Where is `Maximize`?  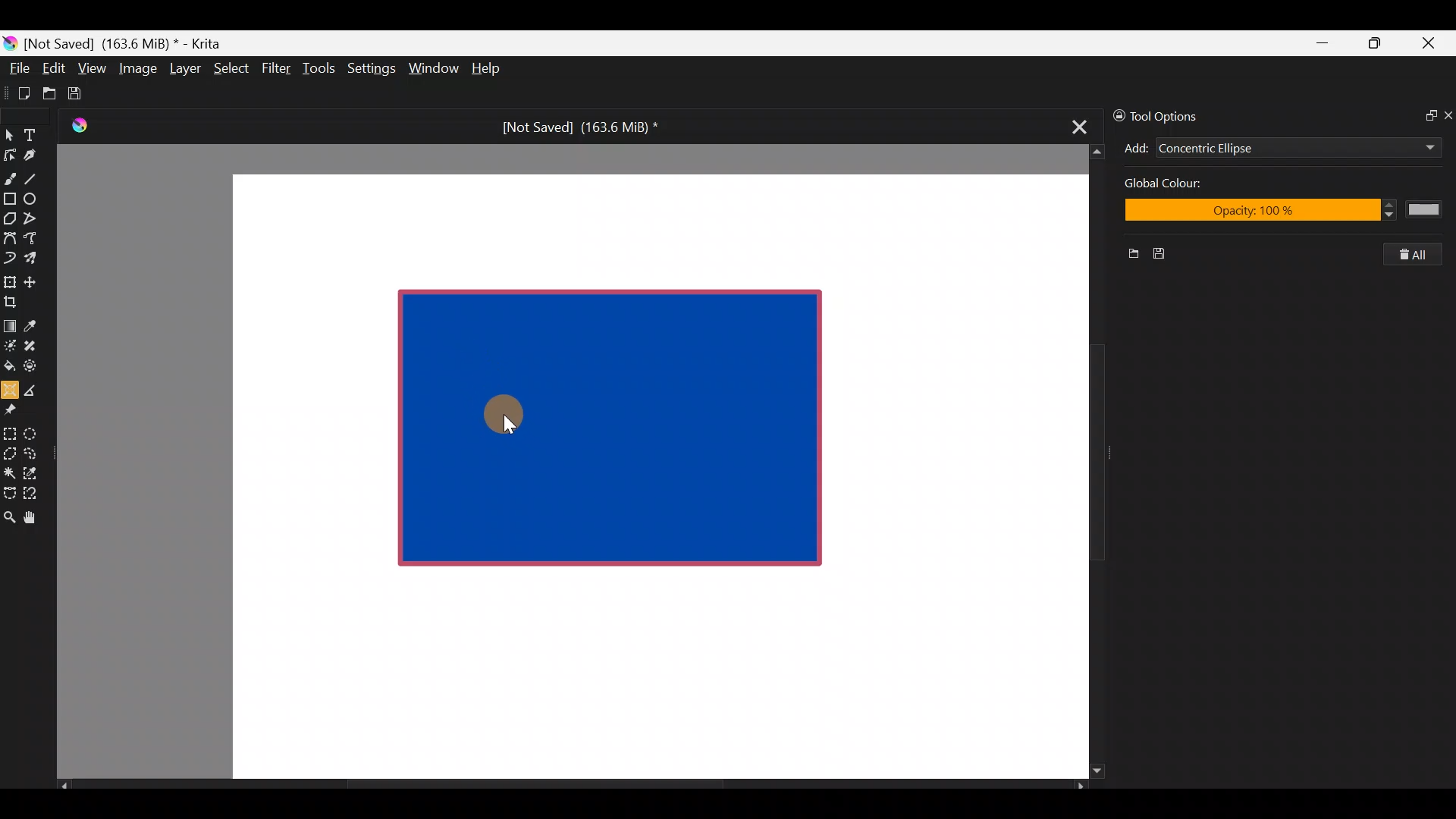
Maximize is located at coordinates (1374, 42).